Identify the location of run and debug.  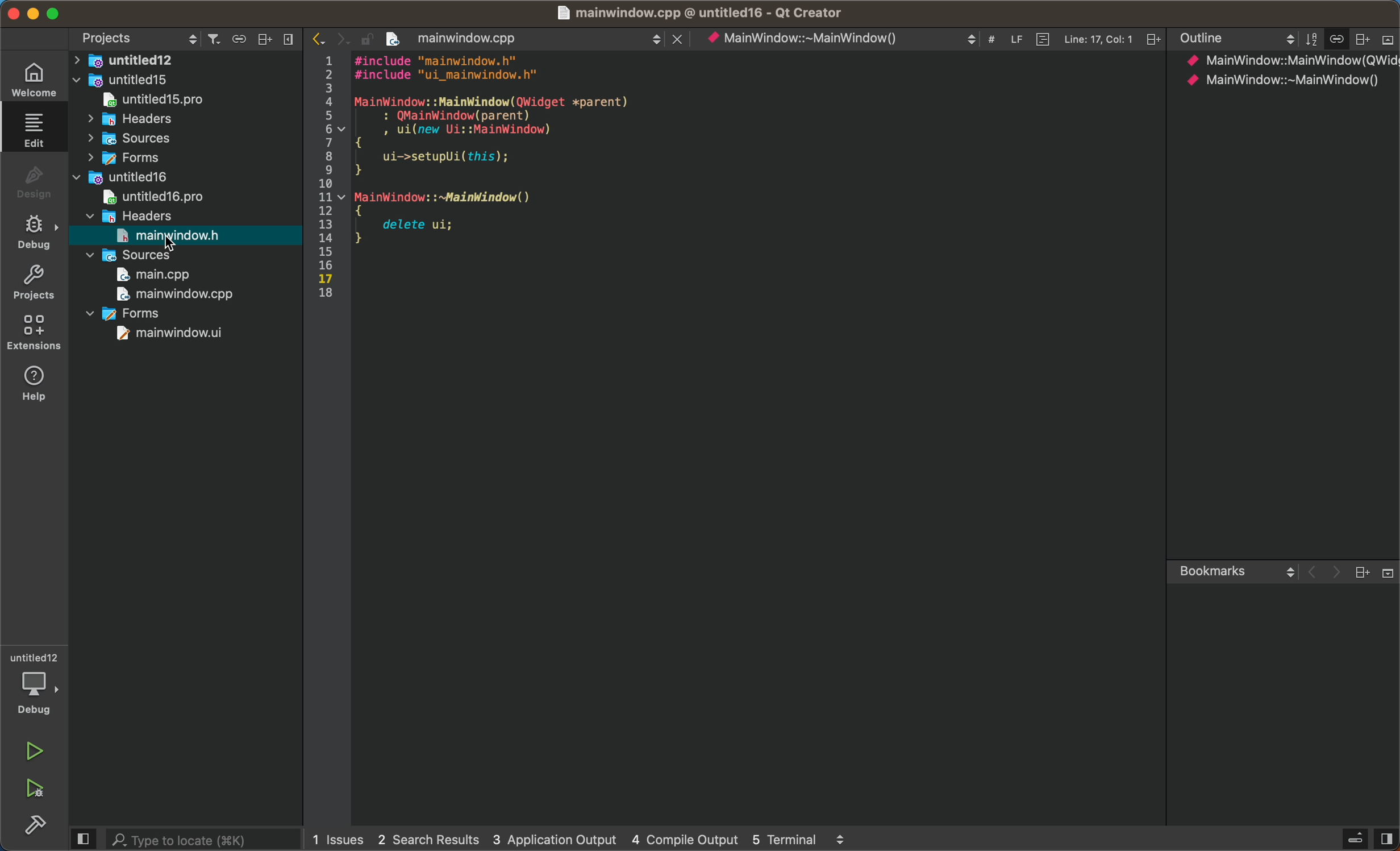
(37, 792).